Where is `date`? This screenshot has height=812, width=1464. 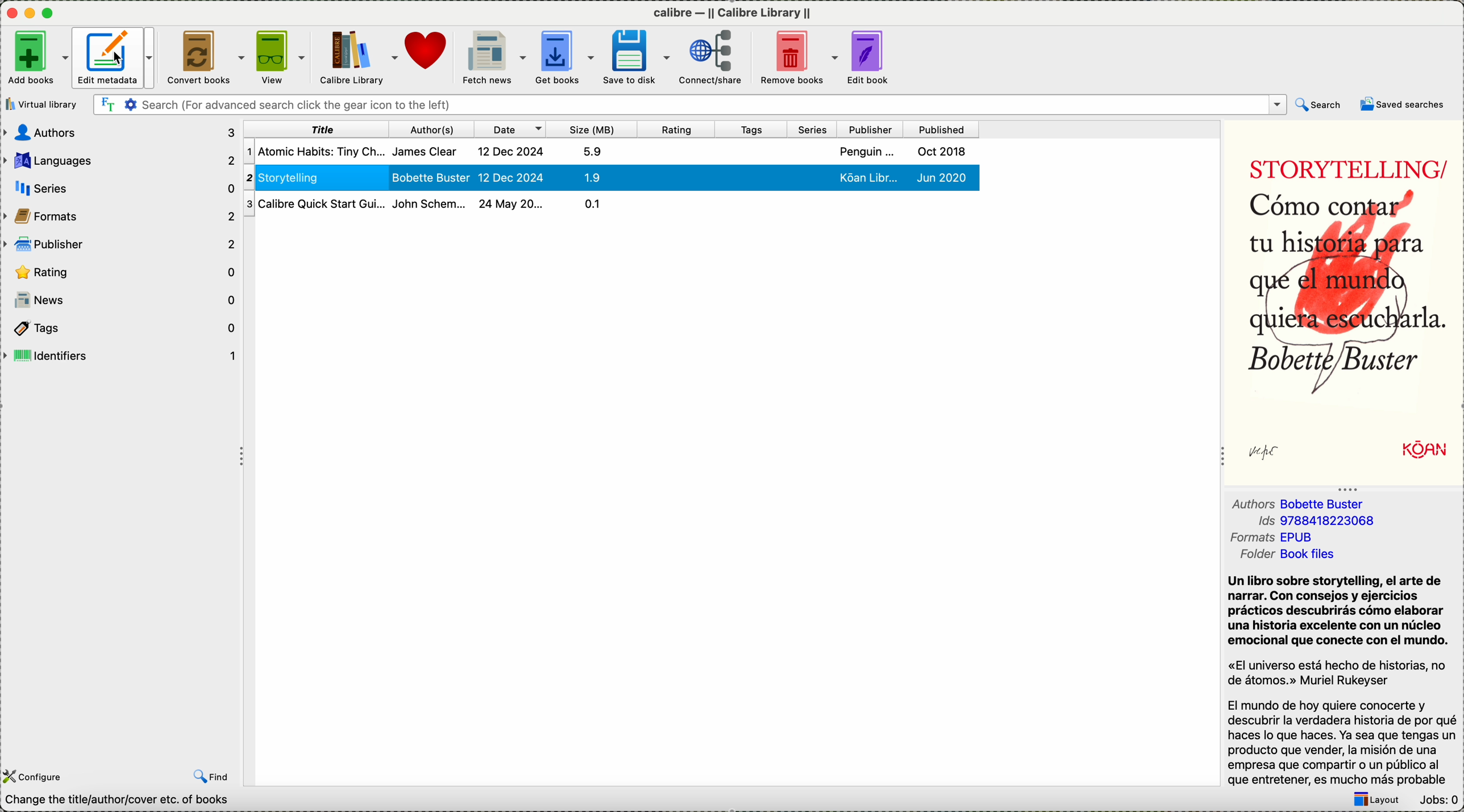 date is located at coordinates (512, 130).